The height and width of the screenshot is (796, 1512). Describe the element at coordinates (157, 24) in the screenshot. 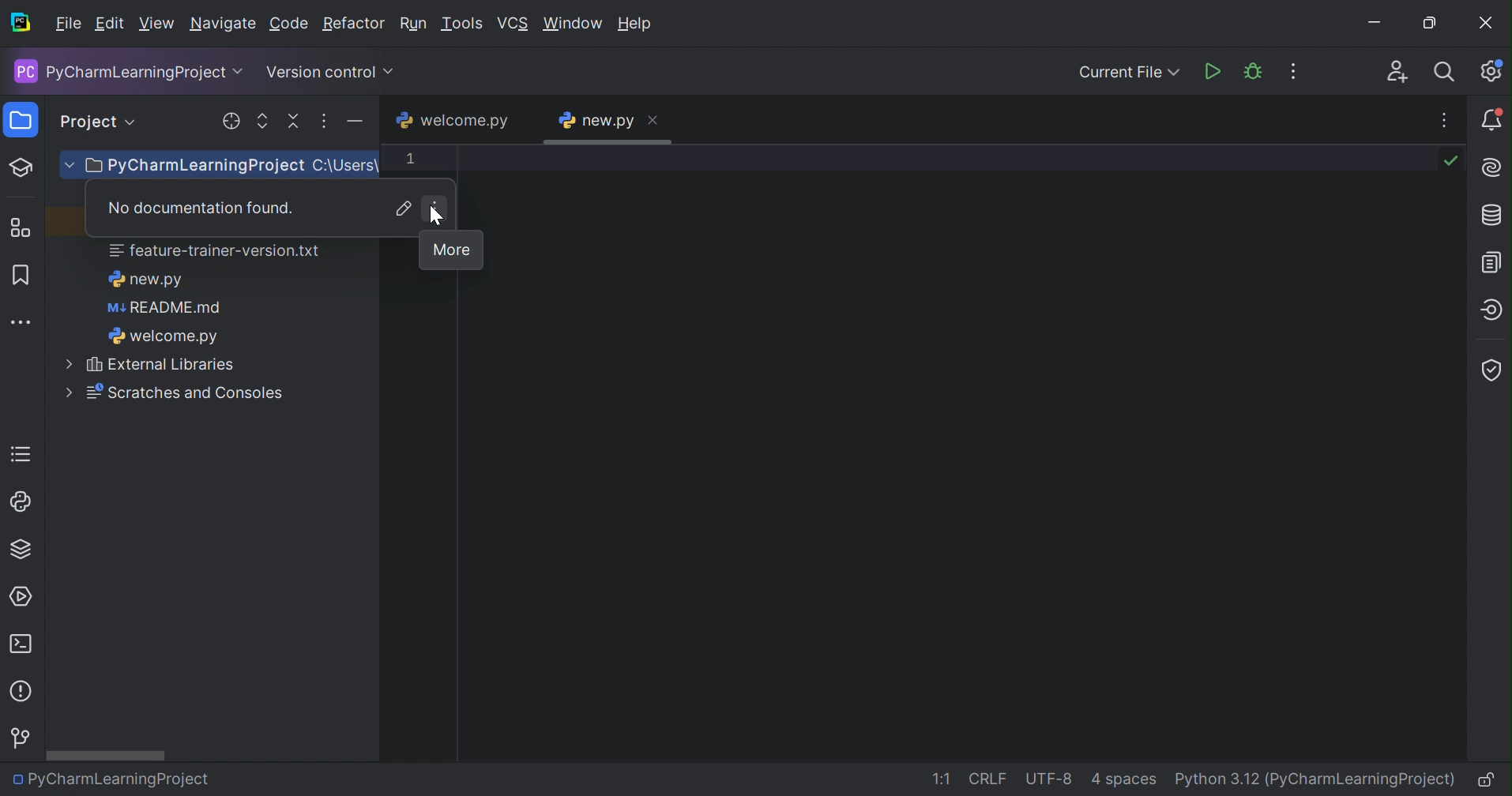

I see `View` at that location.